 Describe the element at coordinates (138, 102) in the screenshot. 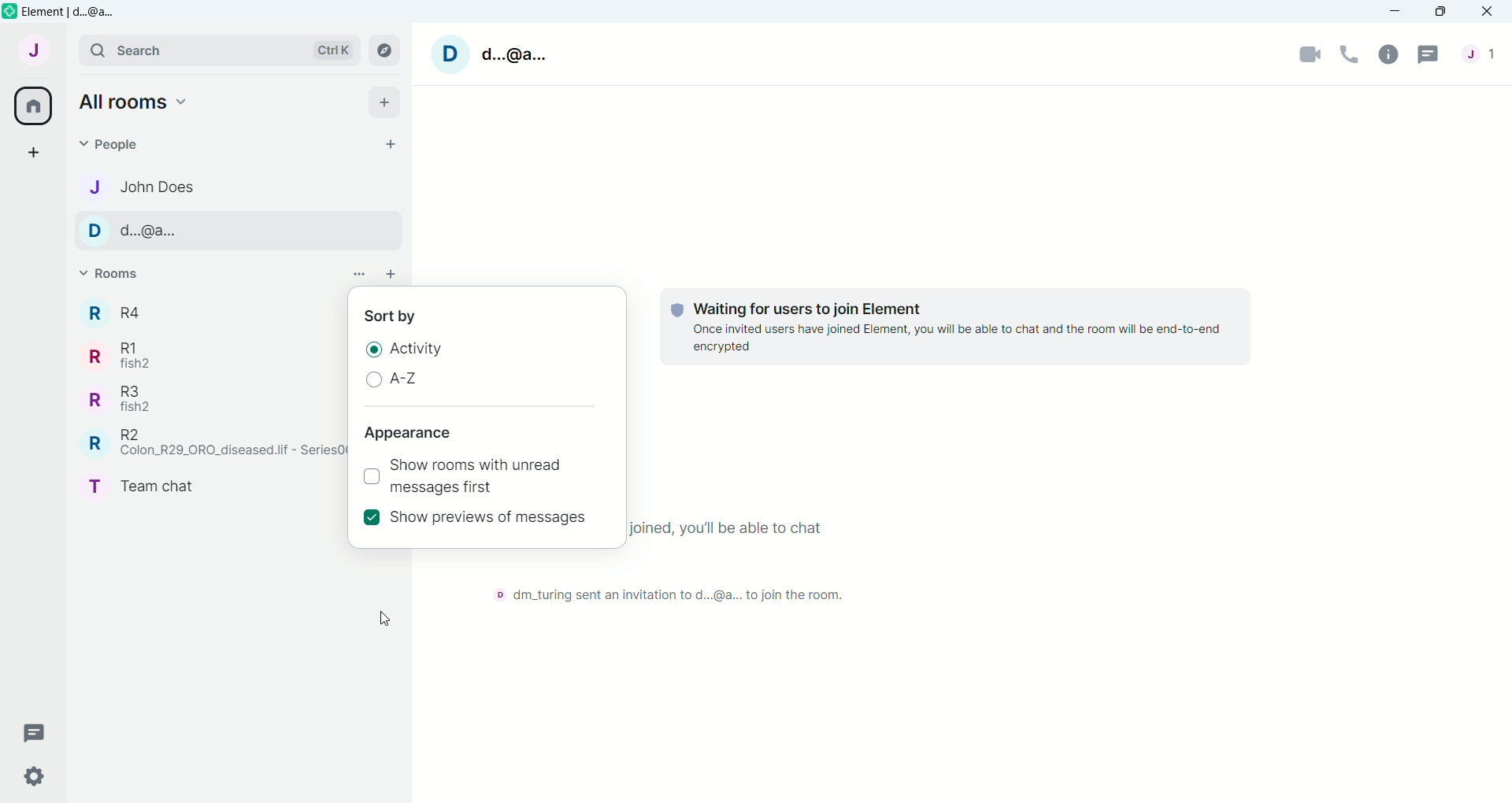

I see `Home Options` at that location.